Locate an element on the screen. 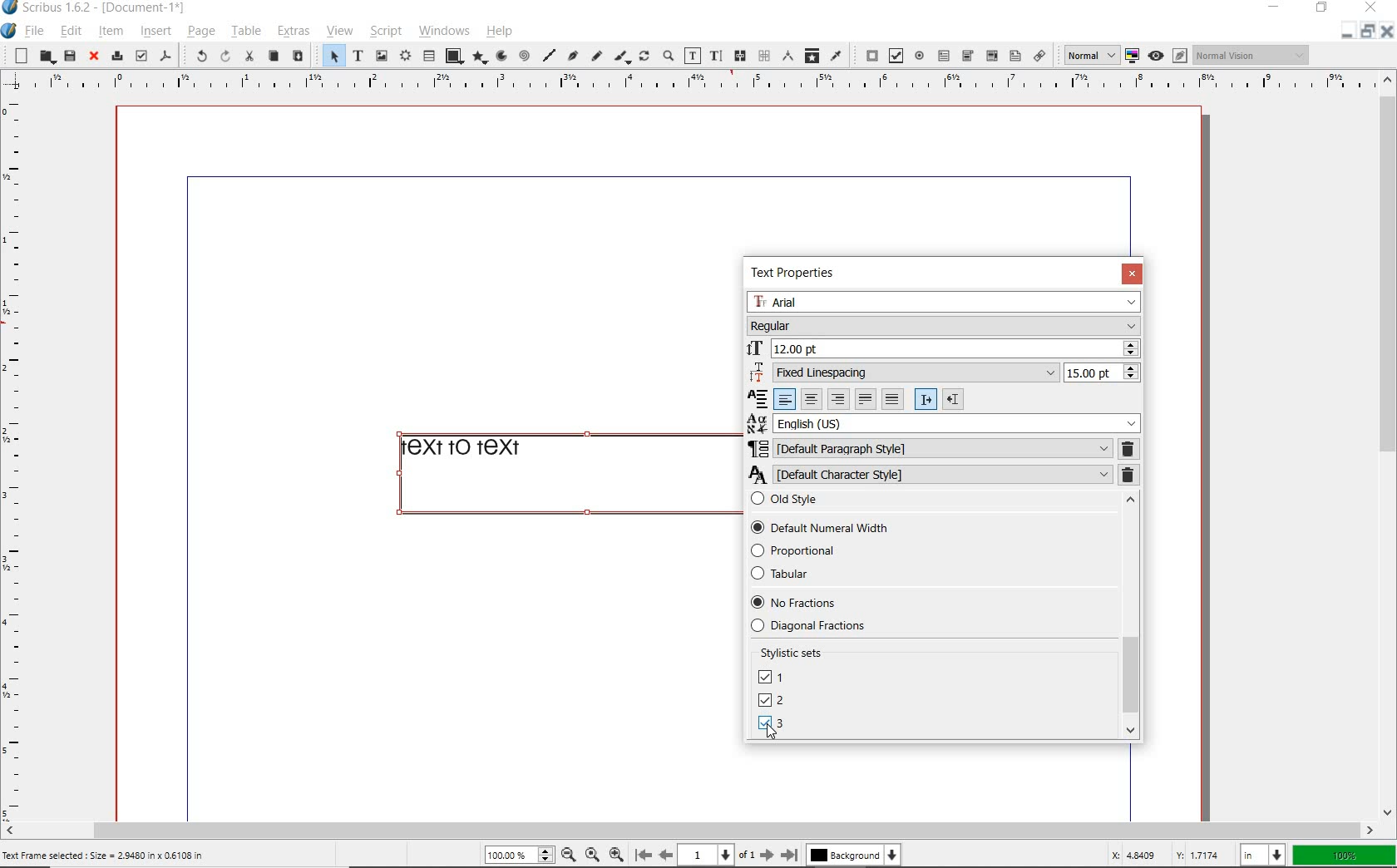  Left align is located at coordinates (786, 399).